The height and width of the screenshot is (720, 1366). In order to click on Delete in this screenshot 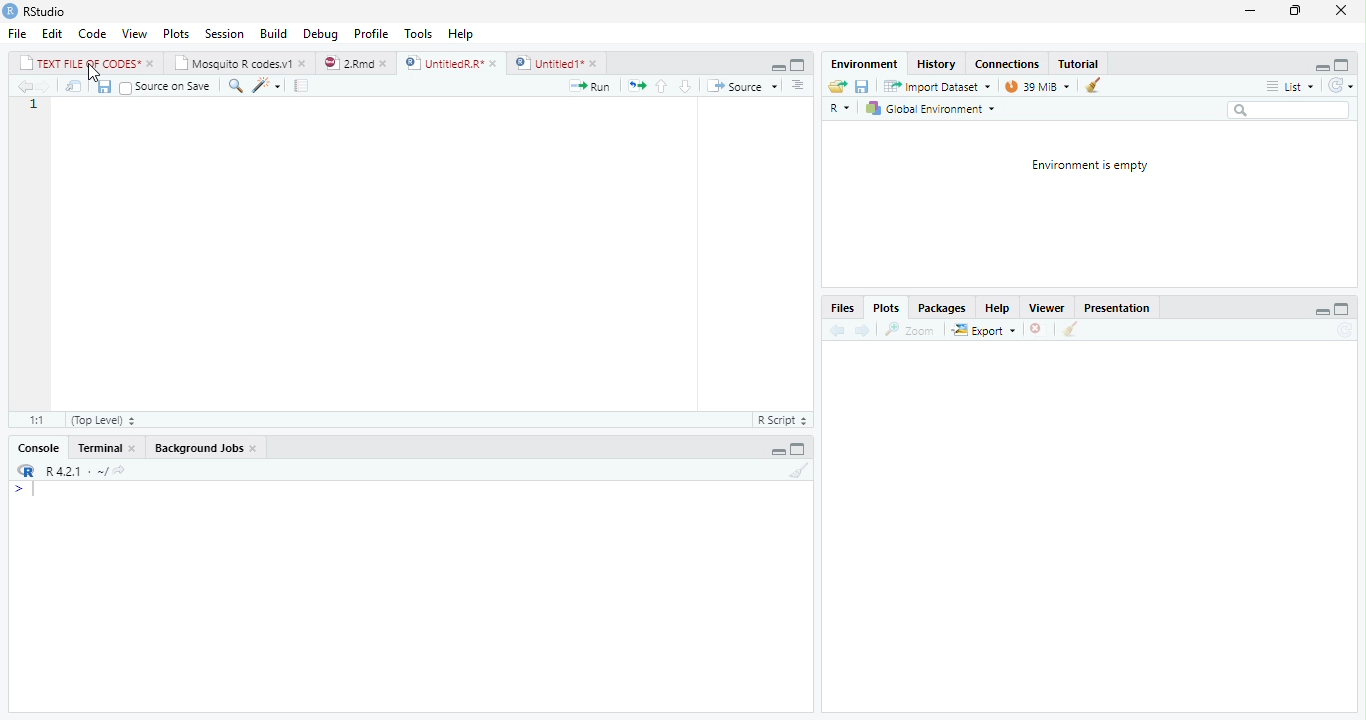, I will do `click(1037, 329)`.